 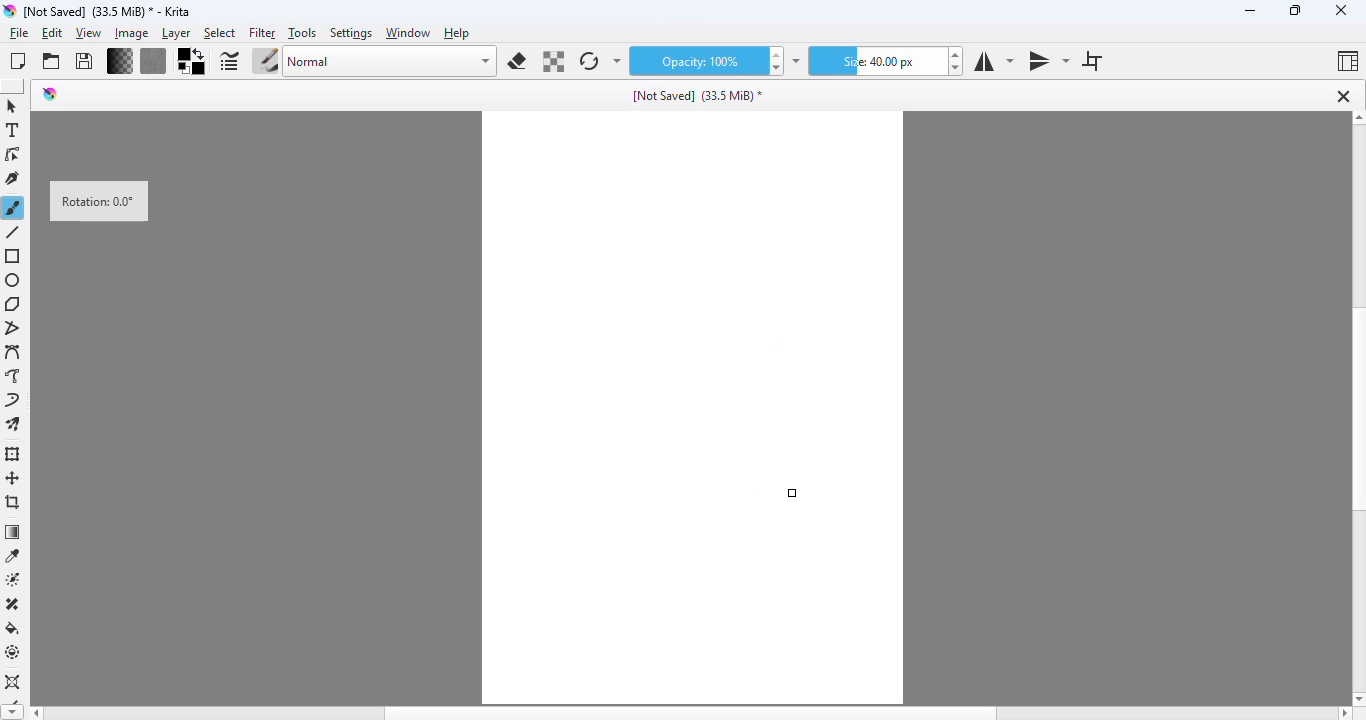 I want to click on enclose and fill tool, so click(x=13, y=653).